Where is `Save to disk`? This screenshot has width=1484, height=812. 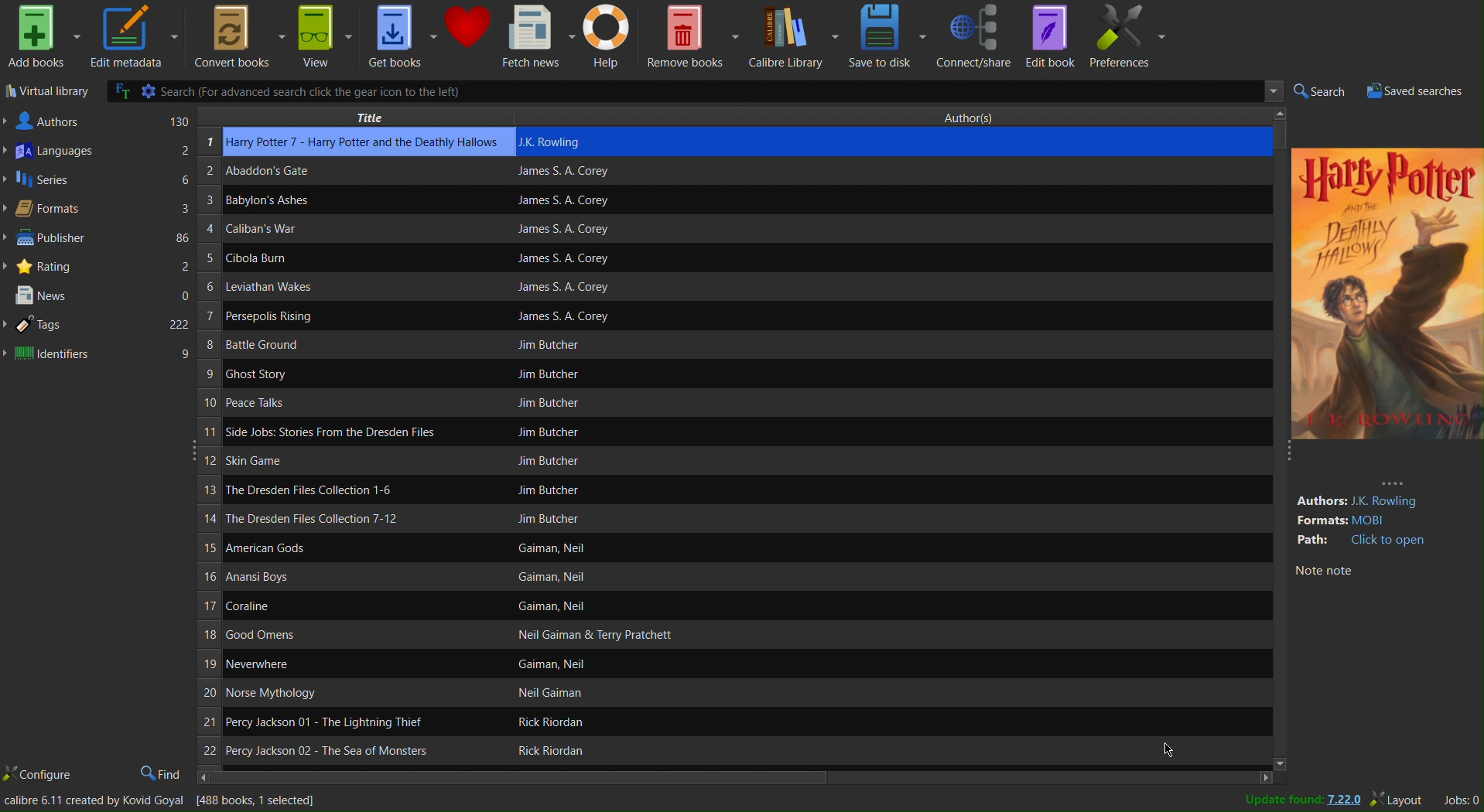 Save to disk is located at coordinates (889, 36).